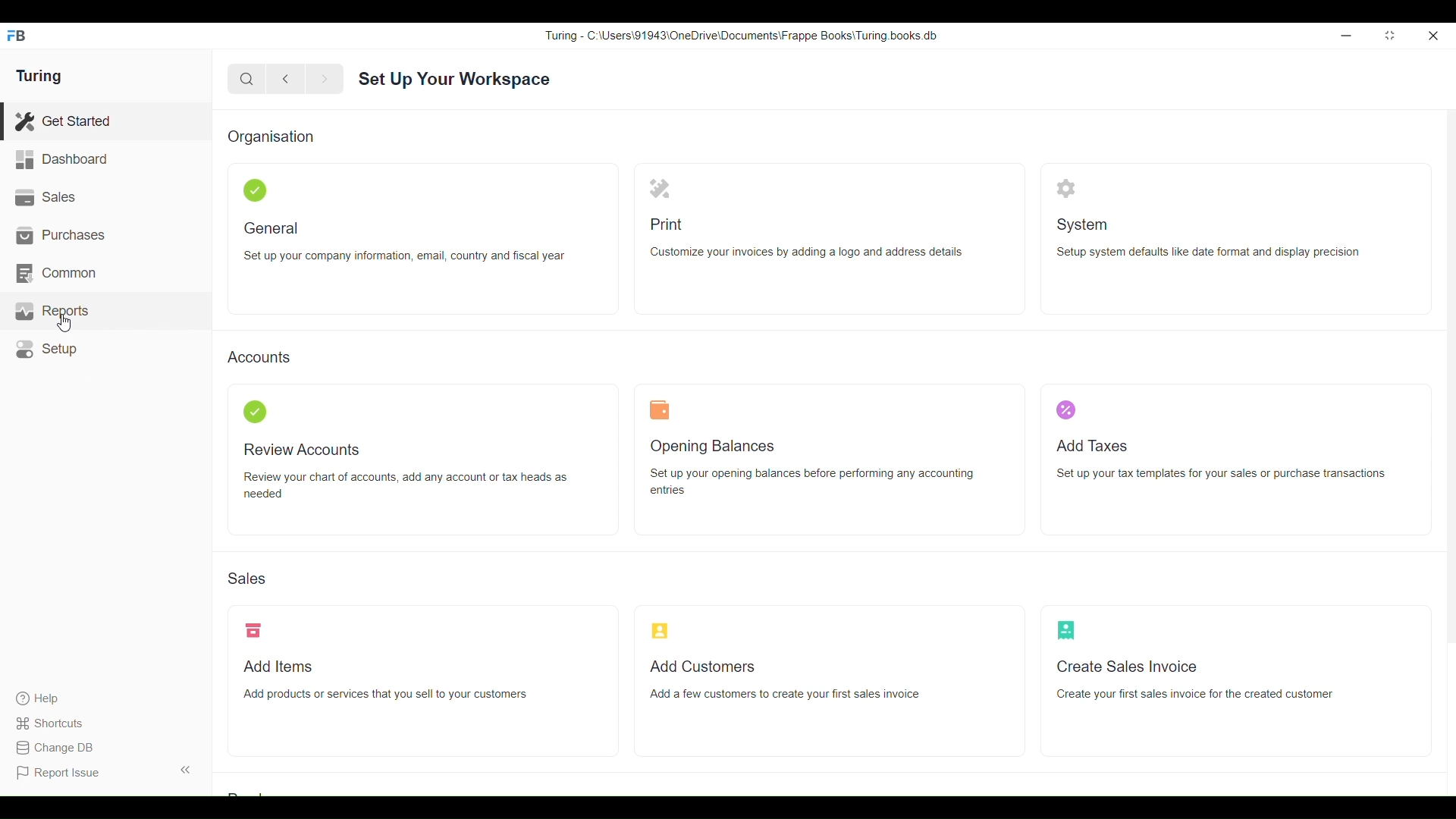 The image size is (1456, 819). I want to click on Add taxes icon, so click(1065, 409).